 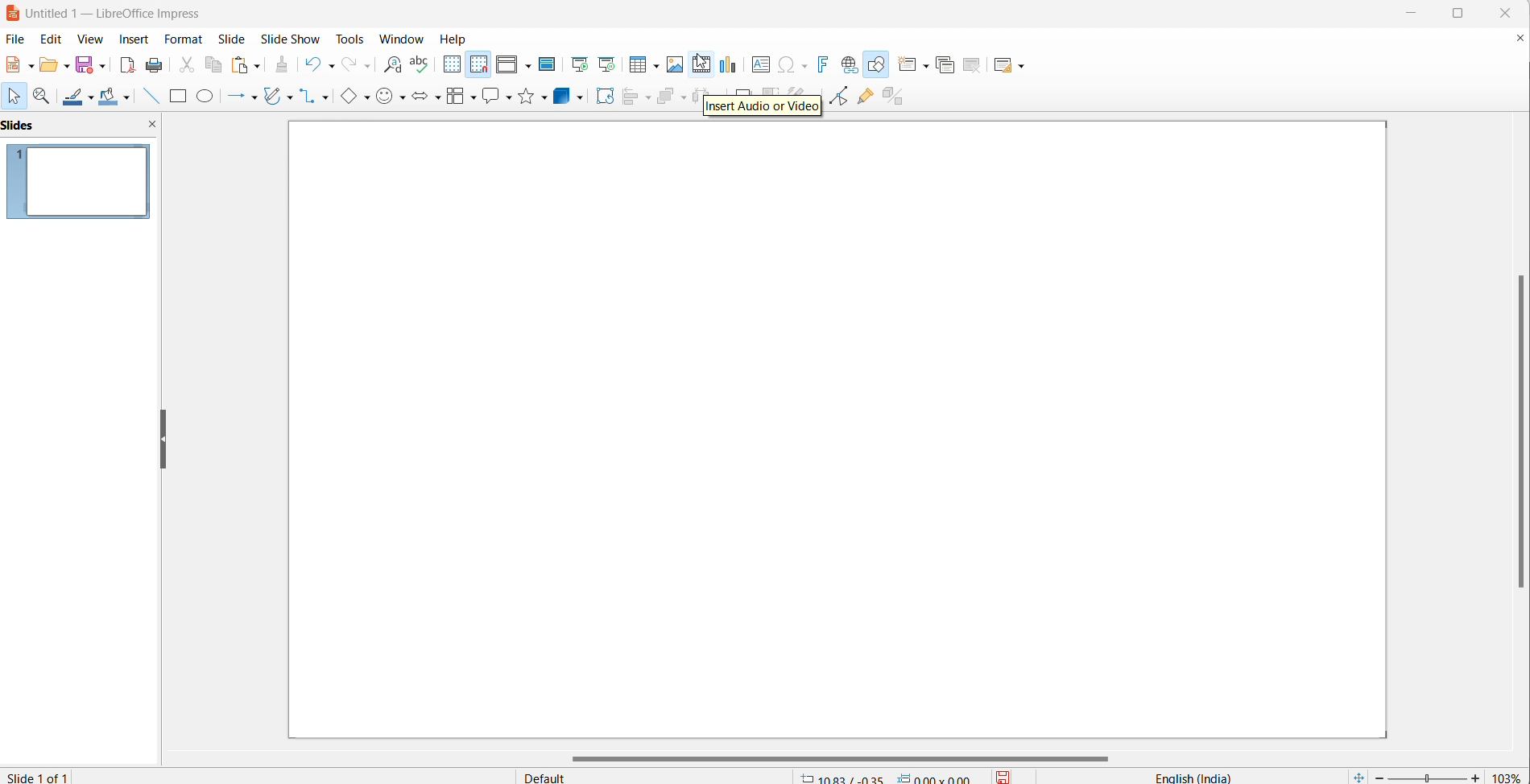 I want to click on format, so click(x=184, y=38).